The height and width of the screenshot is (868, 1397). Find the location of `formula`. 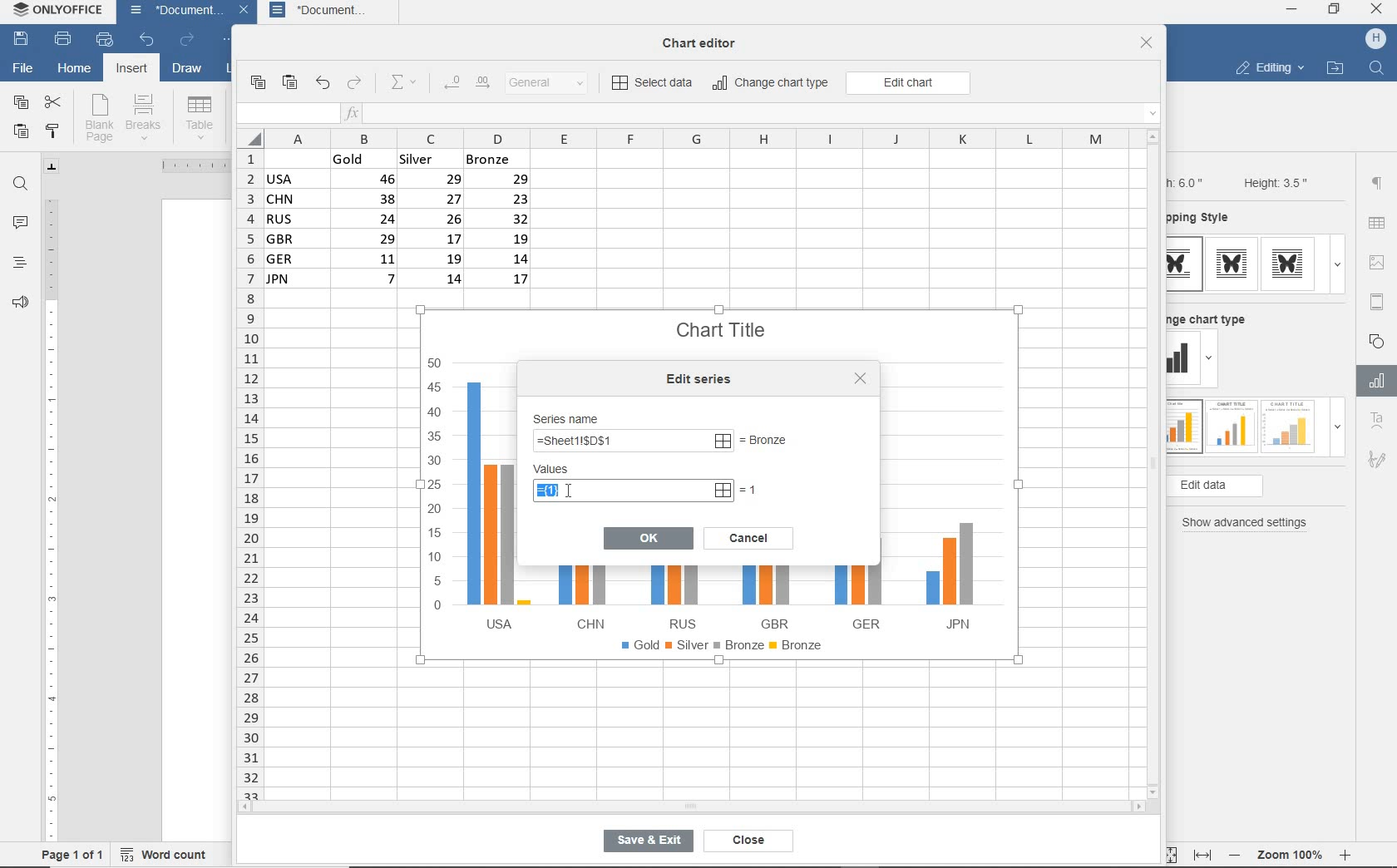

formula is located at coordinates (630, 442).